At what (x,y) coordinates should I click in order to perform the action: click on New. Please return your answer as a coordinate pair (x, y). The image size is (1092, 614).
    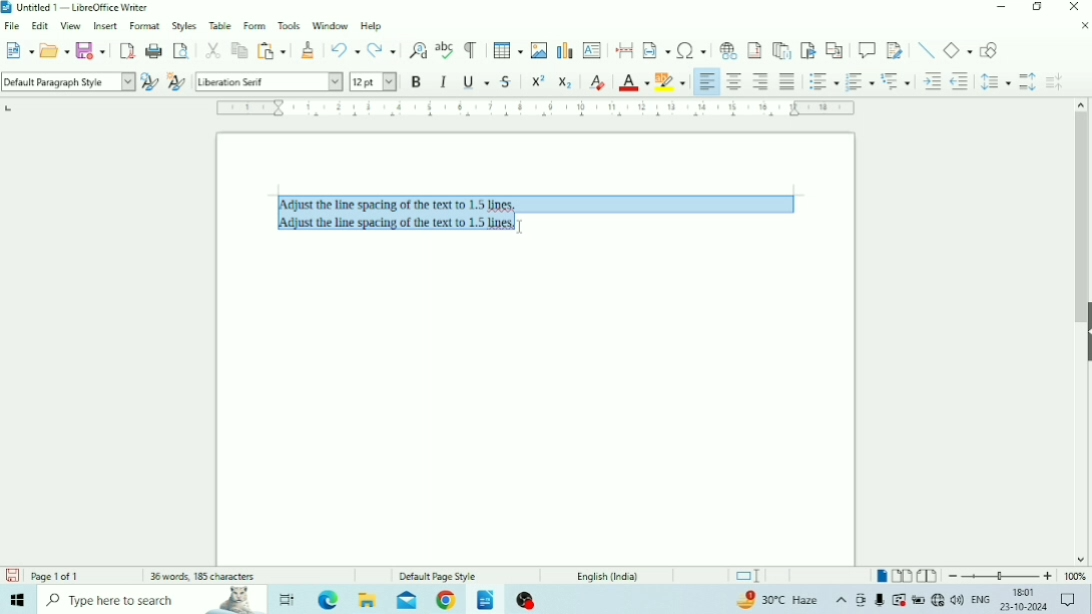
    Looking at the image, I should click on (20, 49).